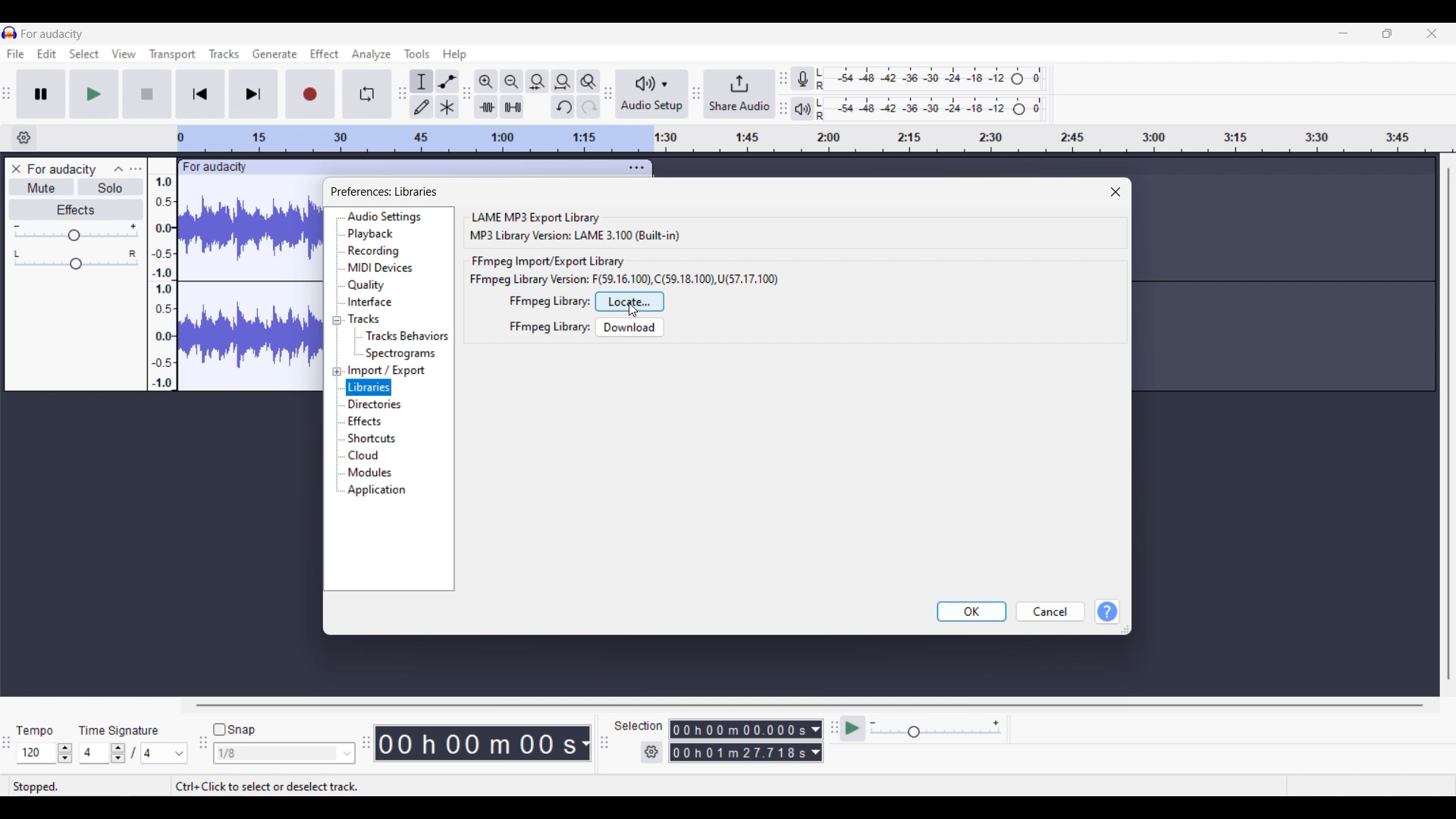 The height and width of the screenshot is (819, 1456). I want to click on Software logo, so click(10, 33).